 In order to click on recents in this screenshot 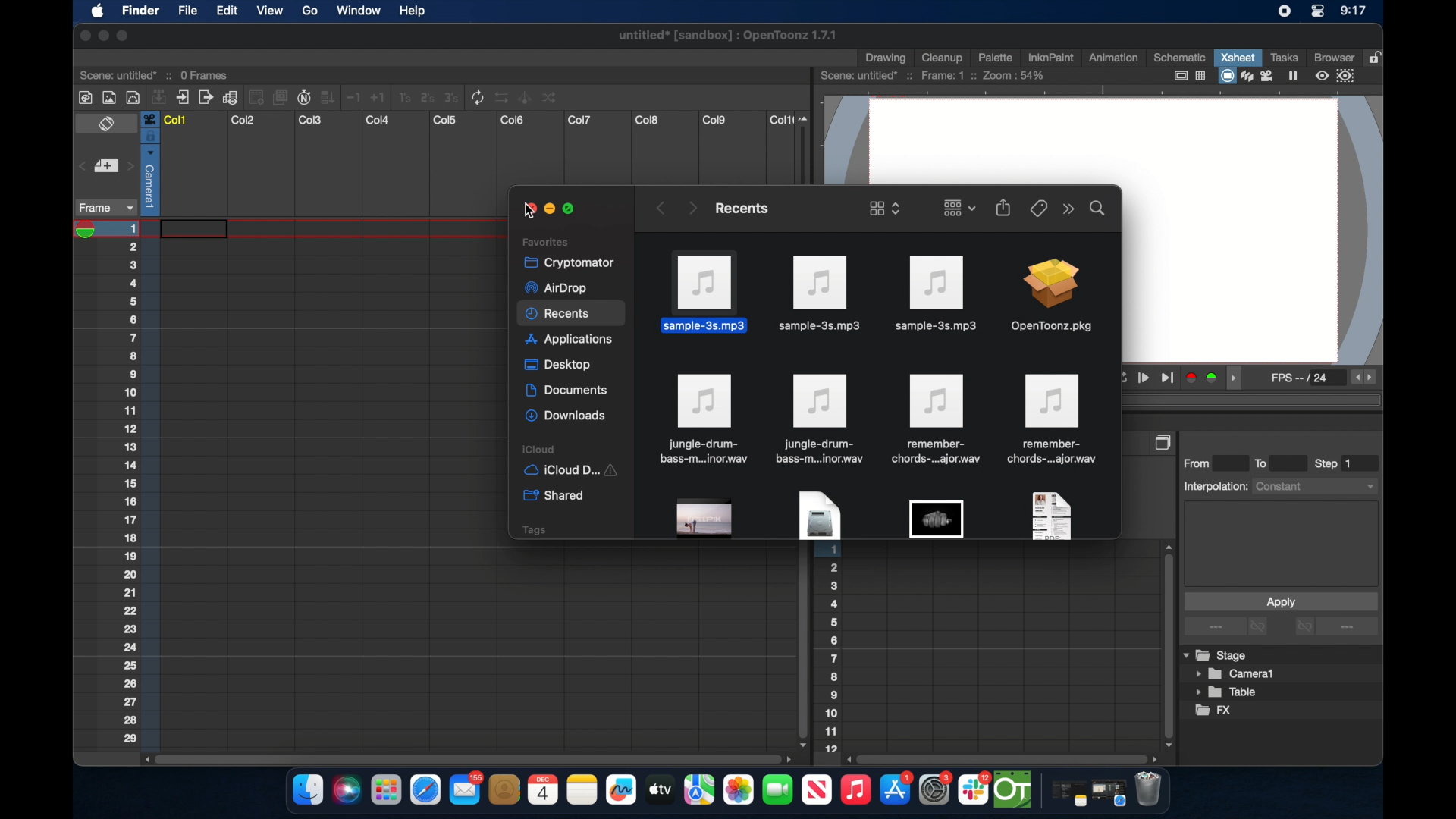, I will do `click(572, 315)`.